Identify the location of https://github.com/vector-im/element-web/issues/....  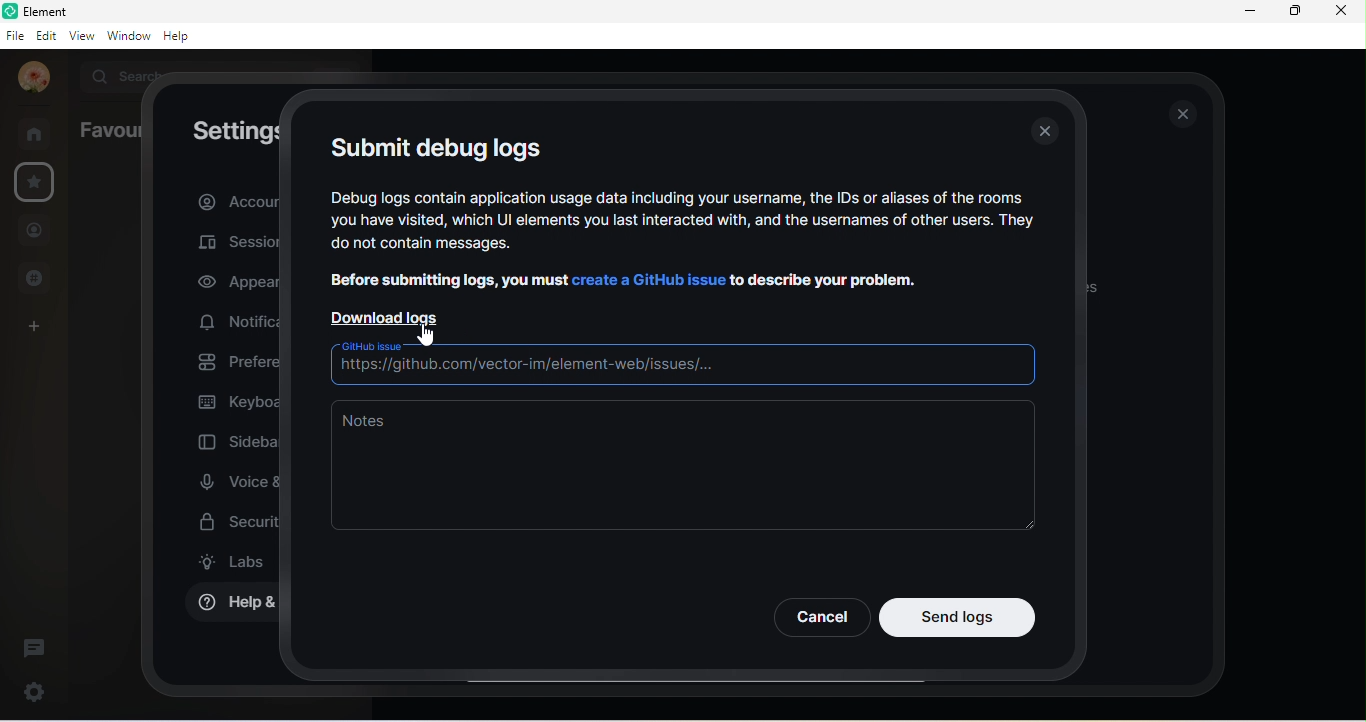
(679, 368).